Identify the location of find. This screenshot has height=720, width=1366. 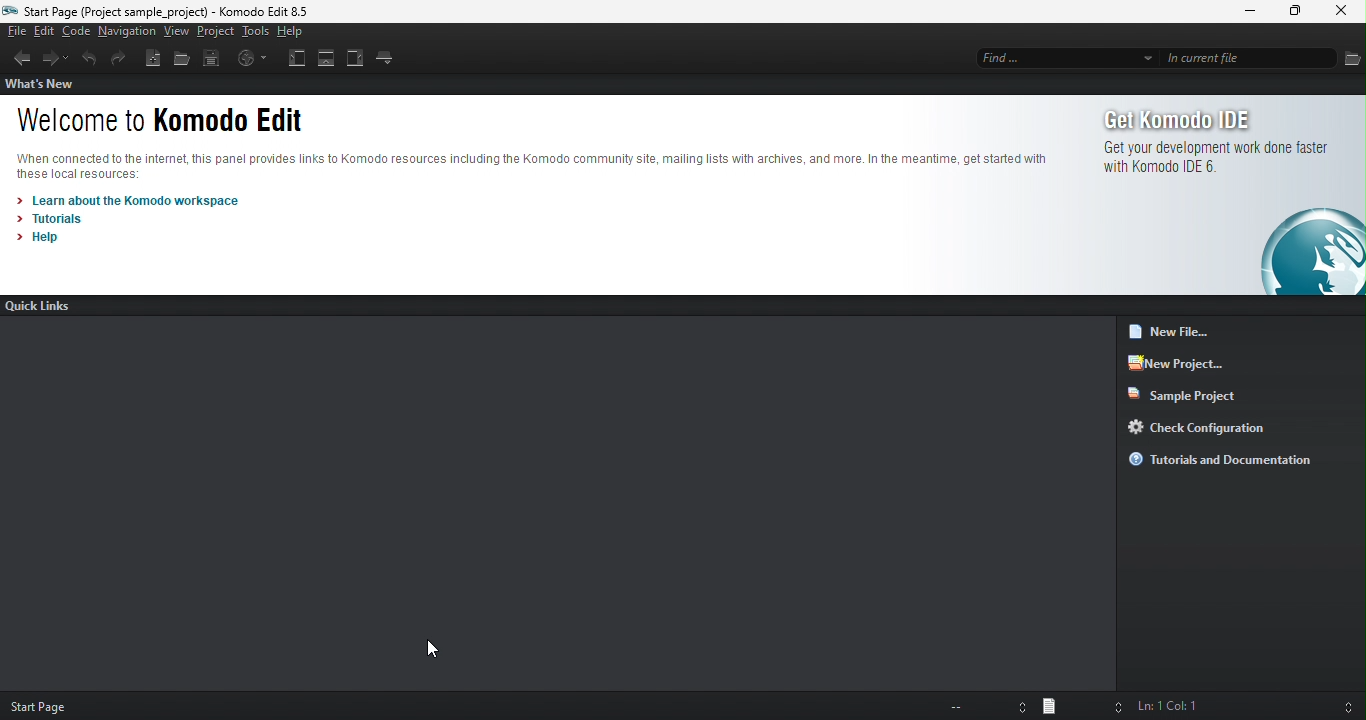
(1066, 55).